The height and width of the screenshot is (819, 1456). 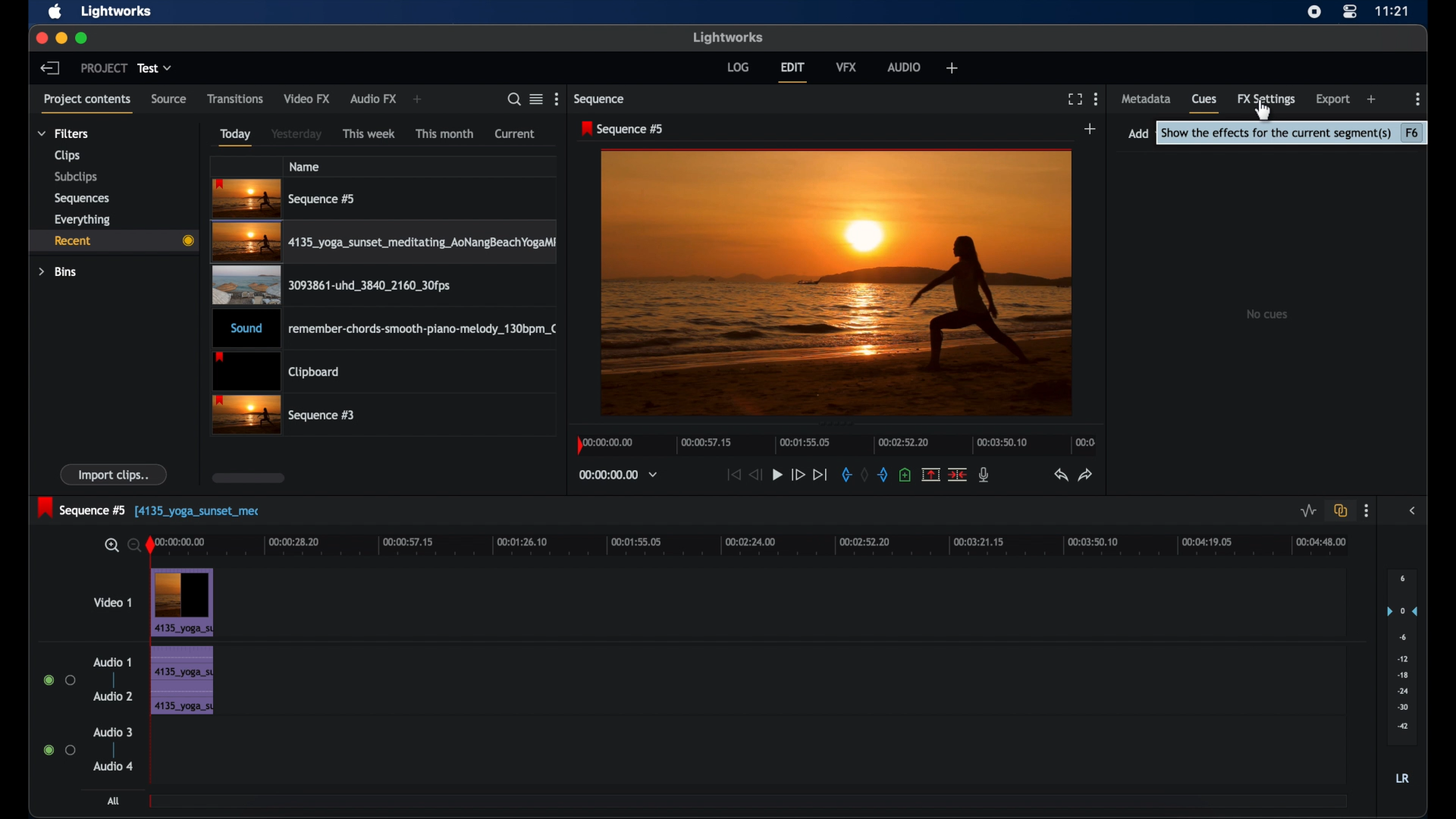 I want to click on rewind, so click(x=757, y=475).